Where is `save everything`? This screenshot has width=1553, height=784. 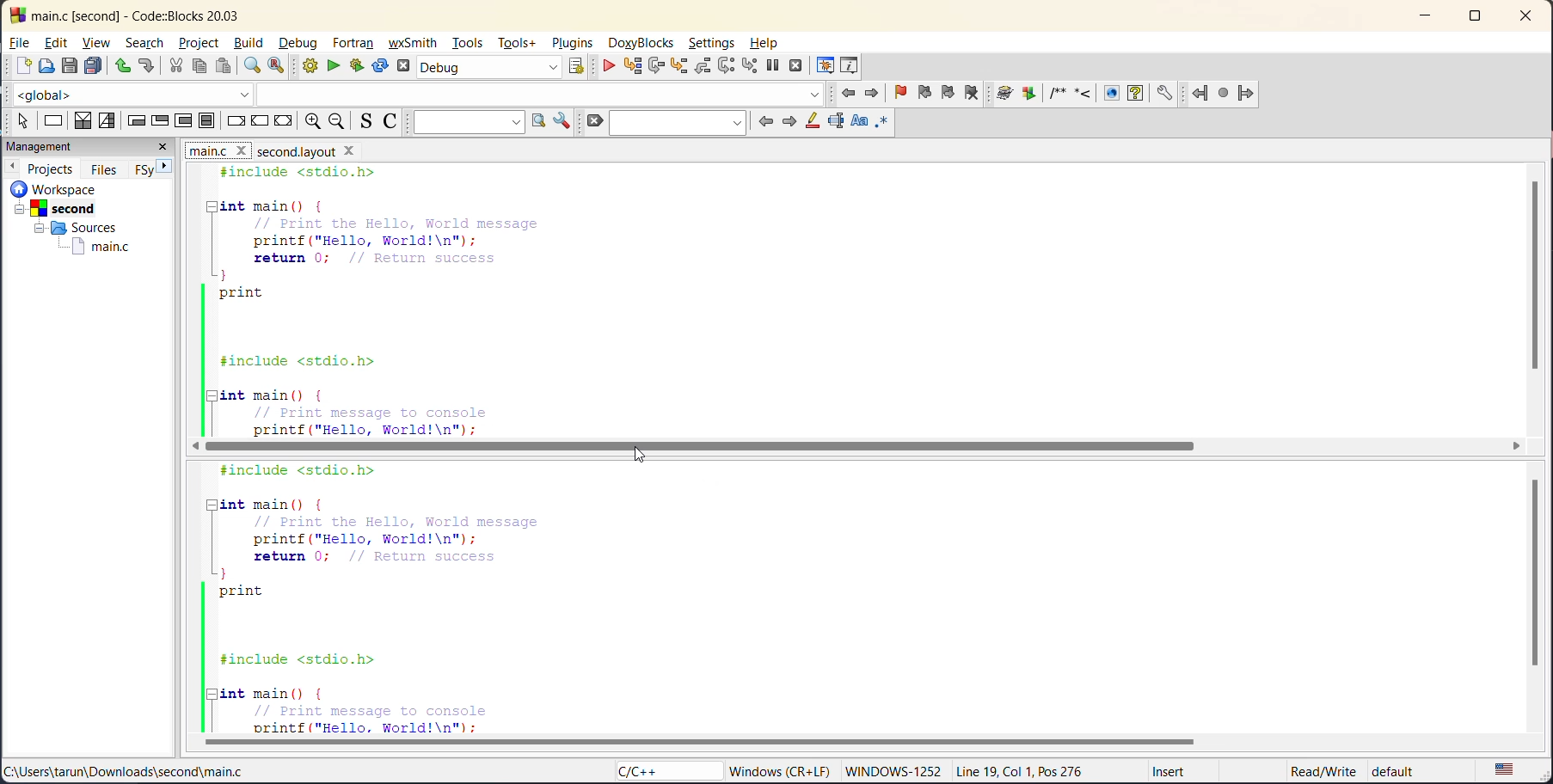
save everything is located at coordinates (95, 67).